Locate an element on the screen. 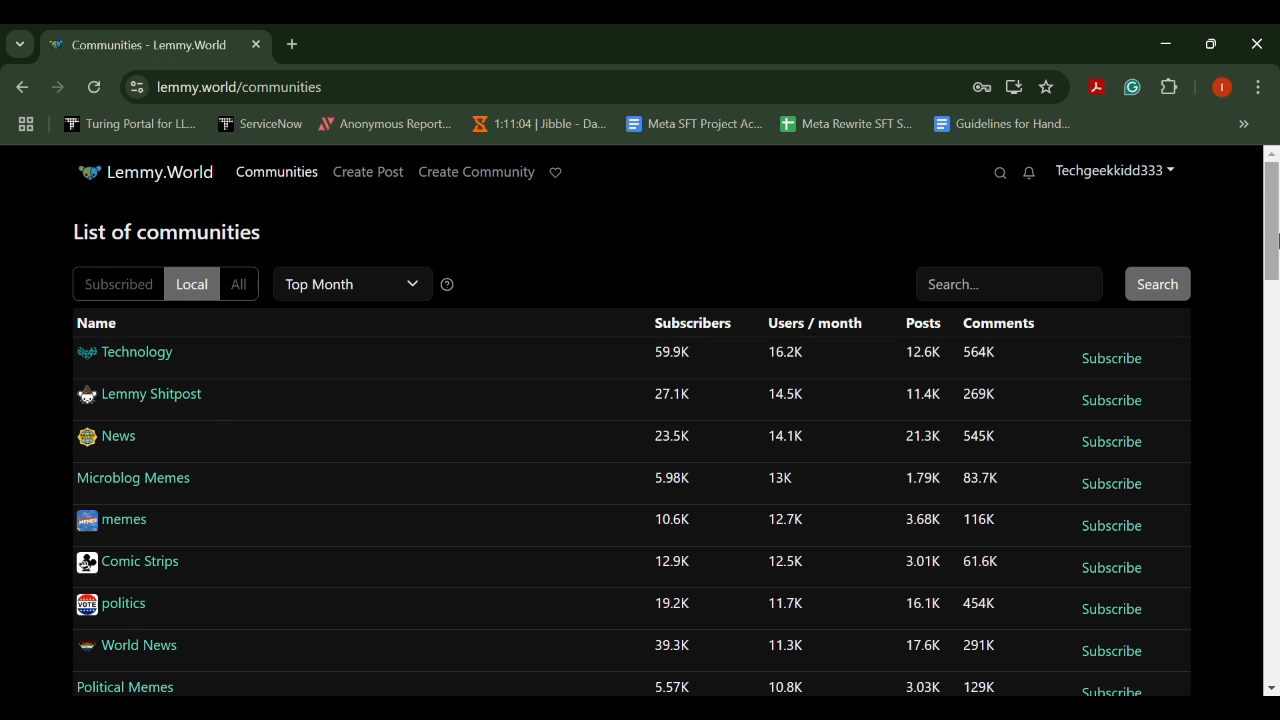 The width and height of the screenshot is (1280, 720). Subscribe is located at coordinates (1112, 610).